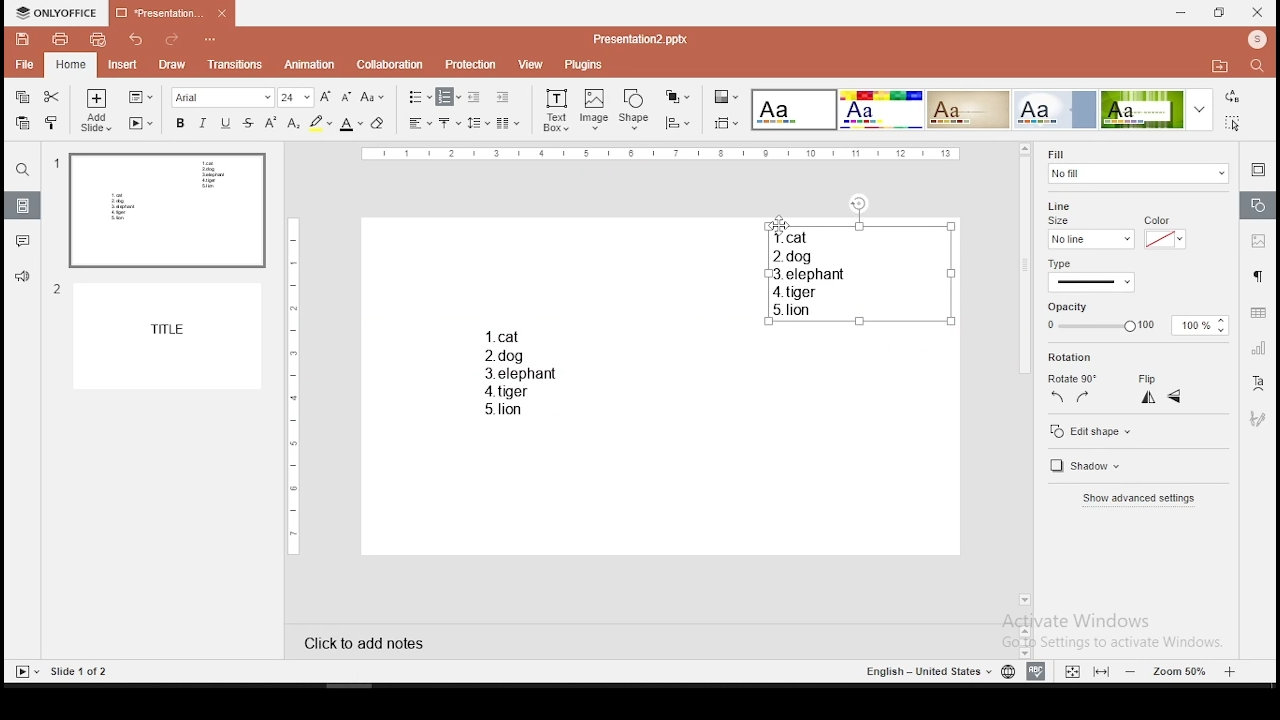  What do you see at coordinates (1064, 212) in the screenshot?
I see `line size` at bounding box center [1064, 212].